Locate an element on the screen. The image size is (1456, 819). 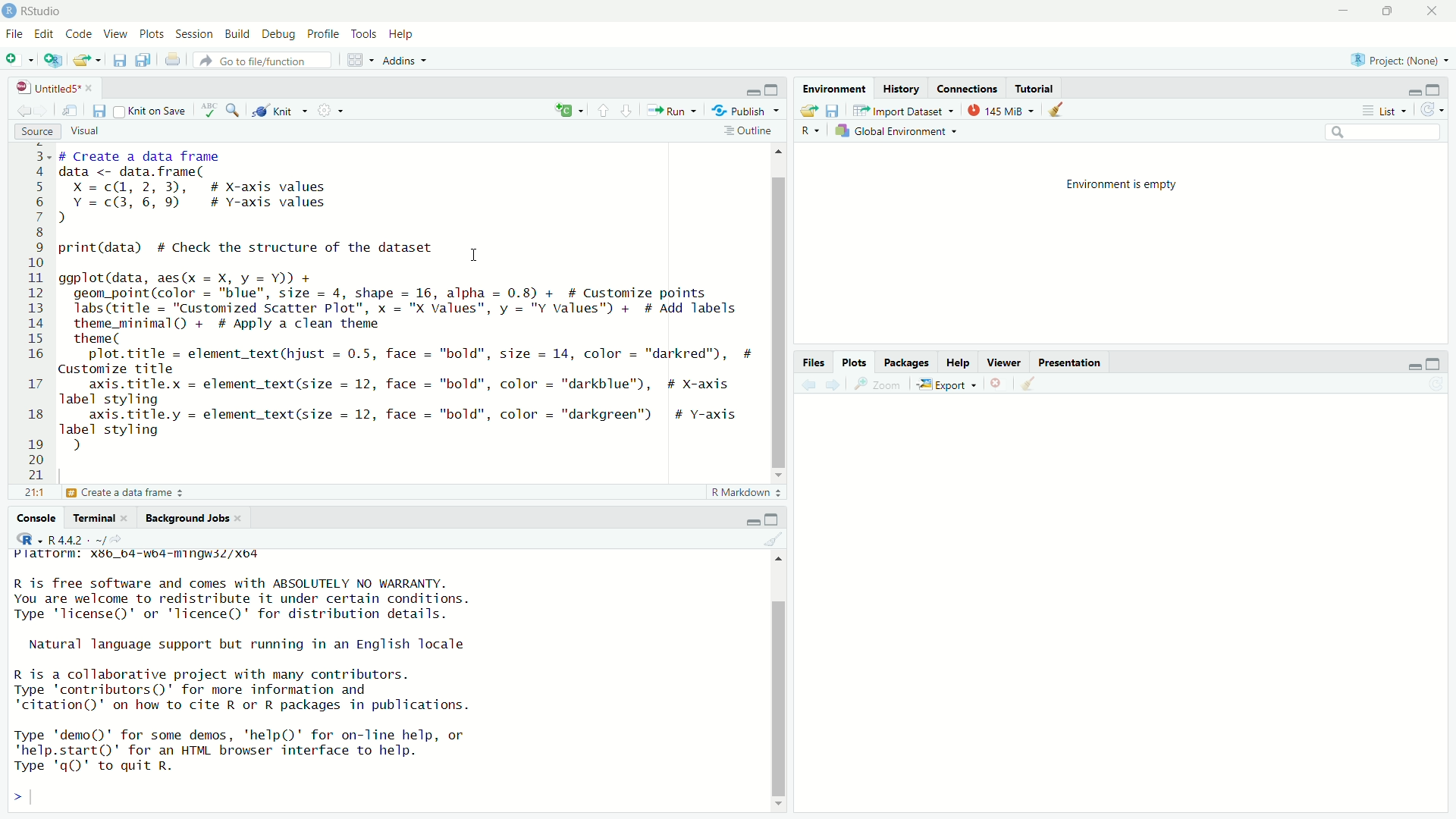
History is located at coordinates (899, 89).